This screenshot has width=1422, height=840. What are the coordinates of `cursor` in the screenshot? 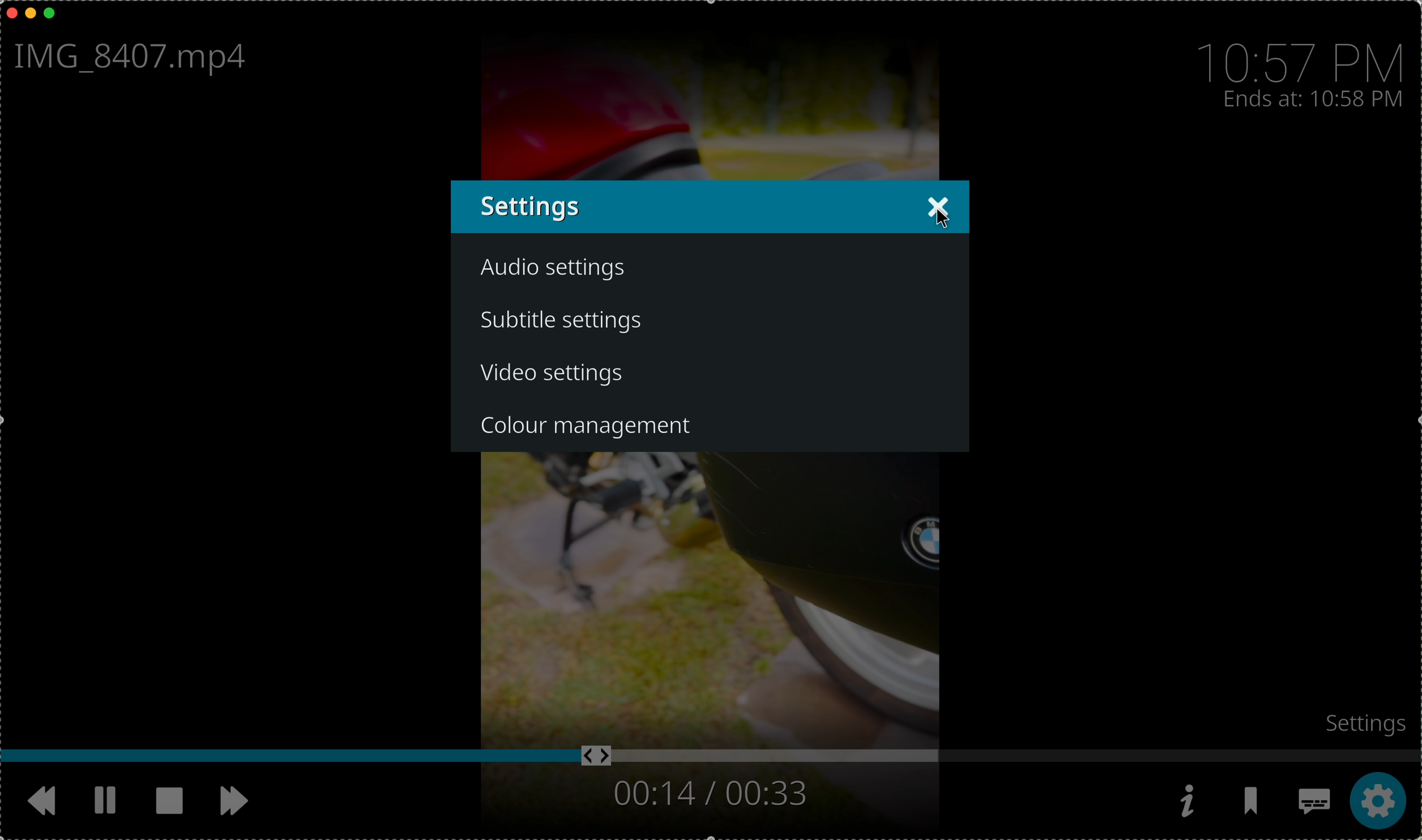 It's located at (867, 389).